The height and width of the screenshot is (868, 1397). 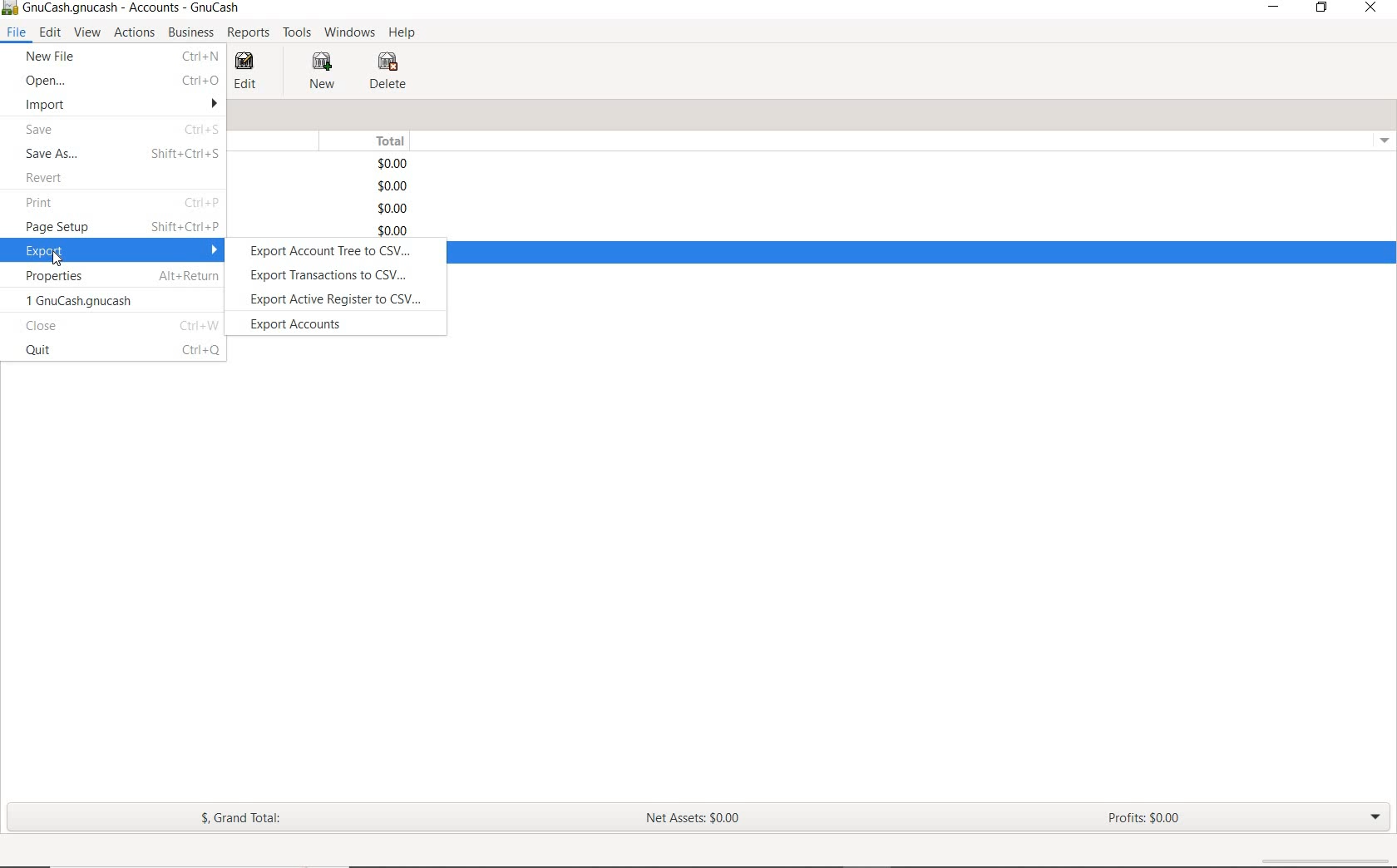 I want to click on Shift+Ctrl+S, so click(x=185, y=152).